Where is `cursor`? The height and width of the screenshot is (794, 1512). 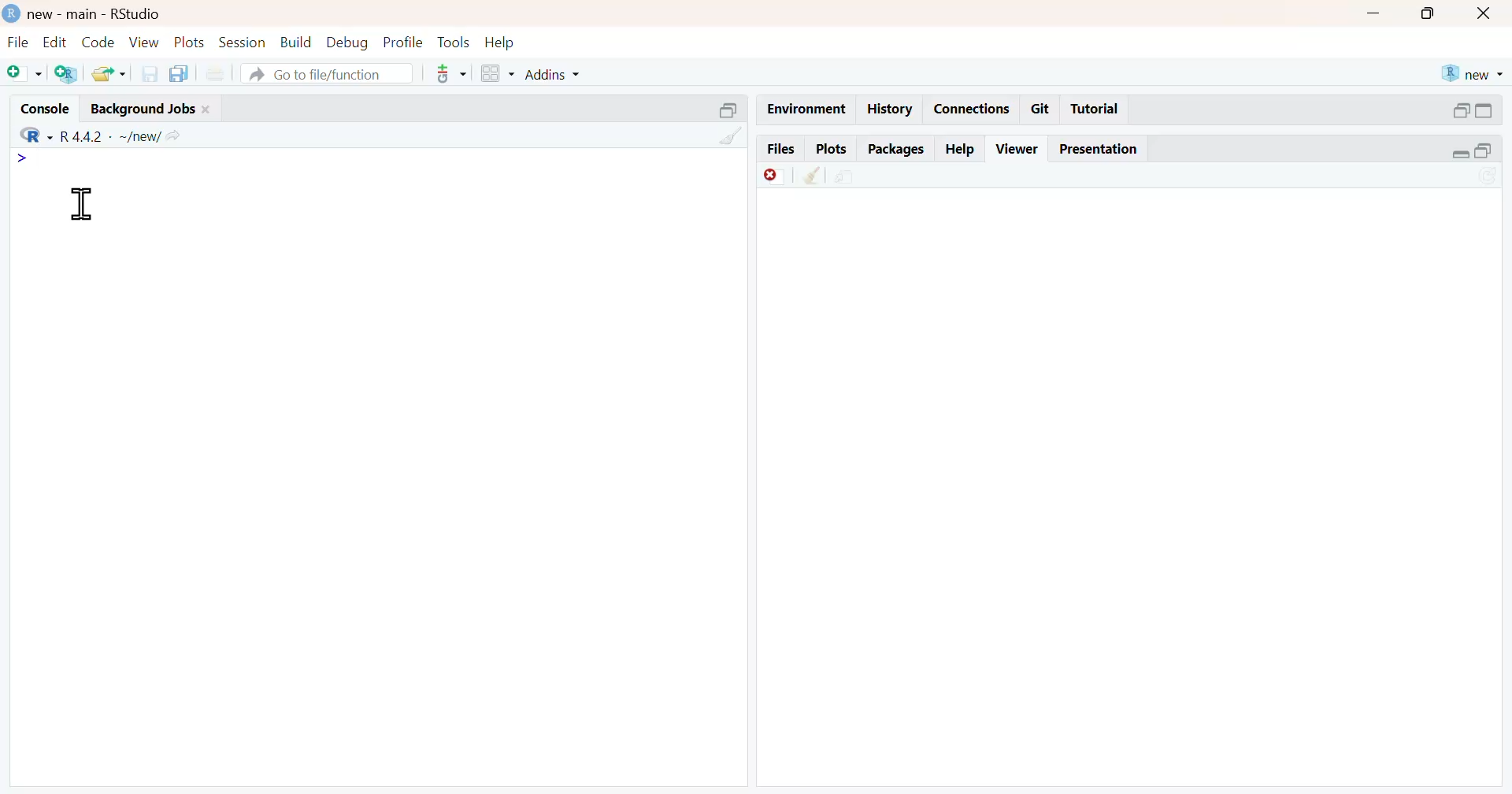 cursor is located at coordinates (83, 206).